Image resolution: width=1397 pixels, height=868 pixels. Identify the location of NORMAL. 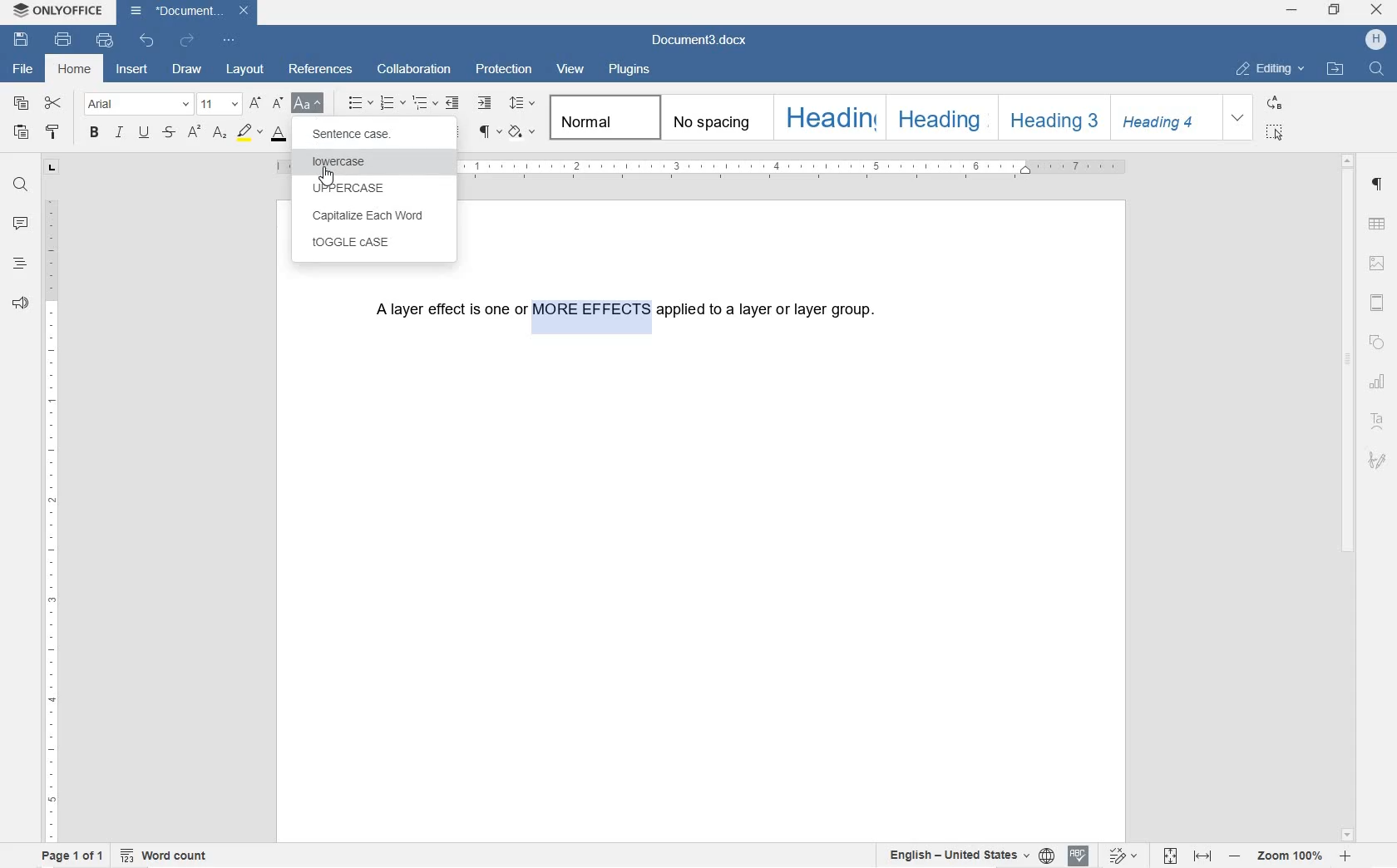
(602, 117).